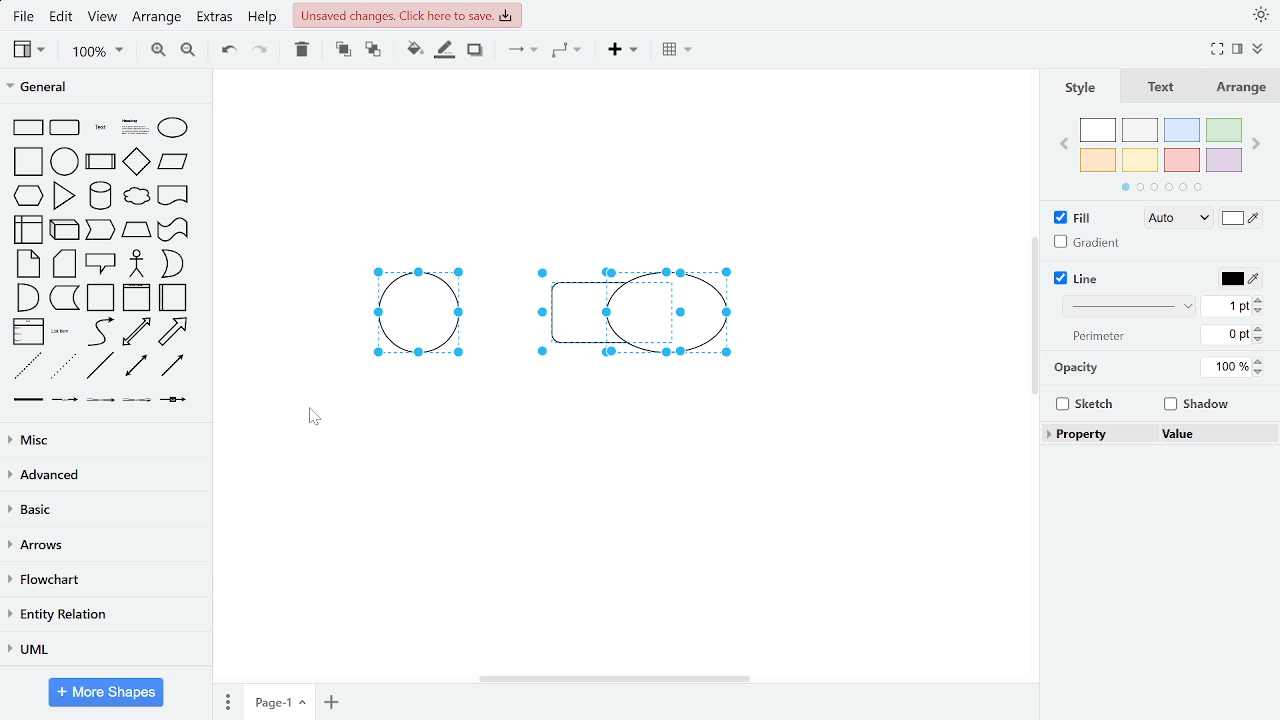  What do you see at coordinates (1237, 49) in the screenshot?
I see `format` at bounding box center [1237, 49].